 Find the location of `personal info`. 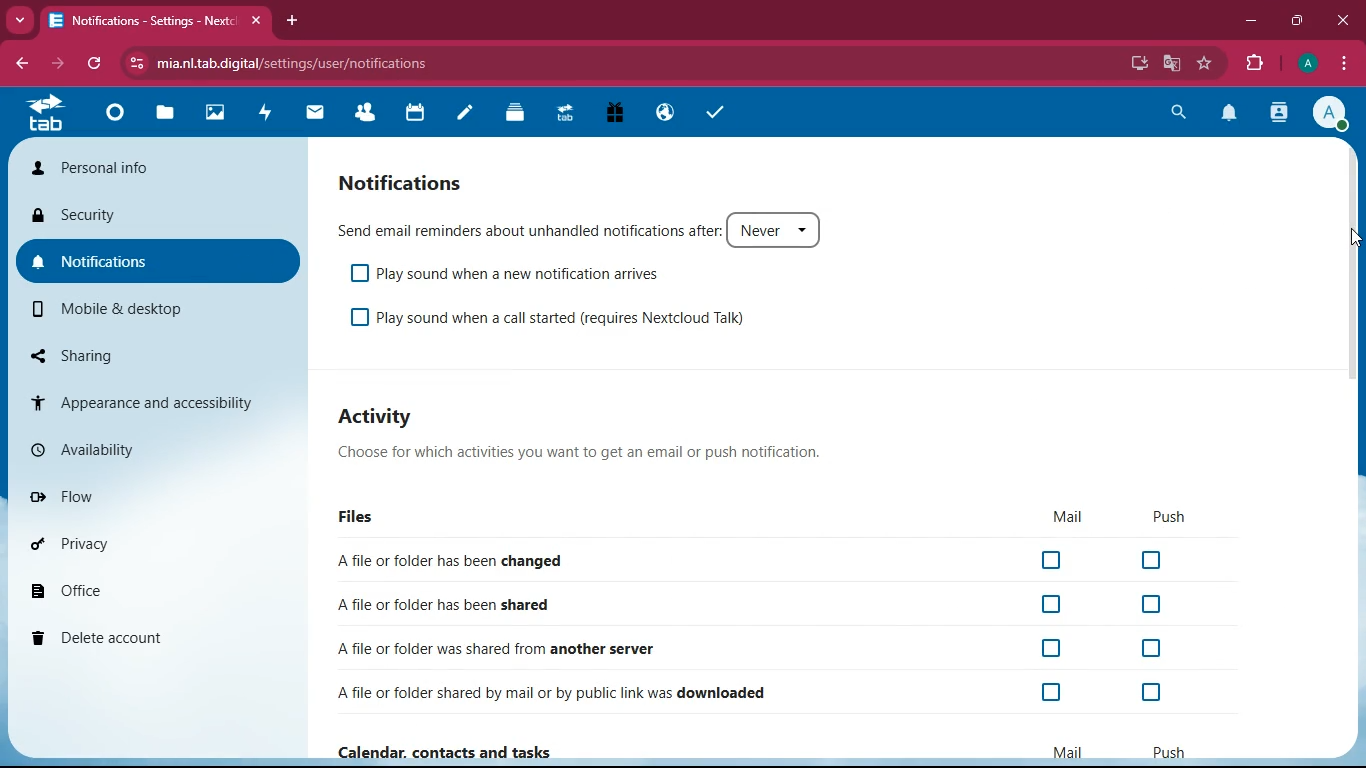

personal info is located at coordinates (160, 167).